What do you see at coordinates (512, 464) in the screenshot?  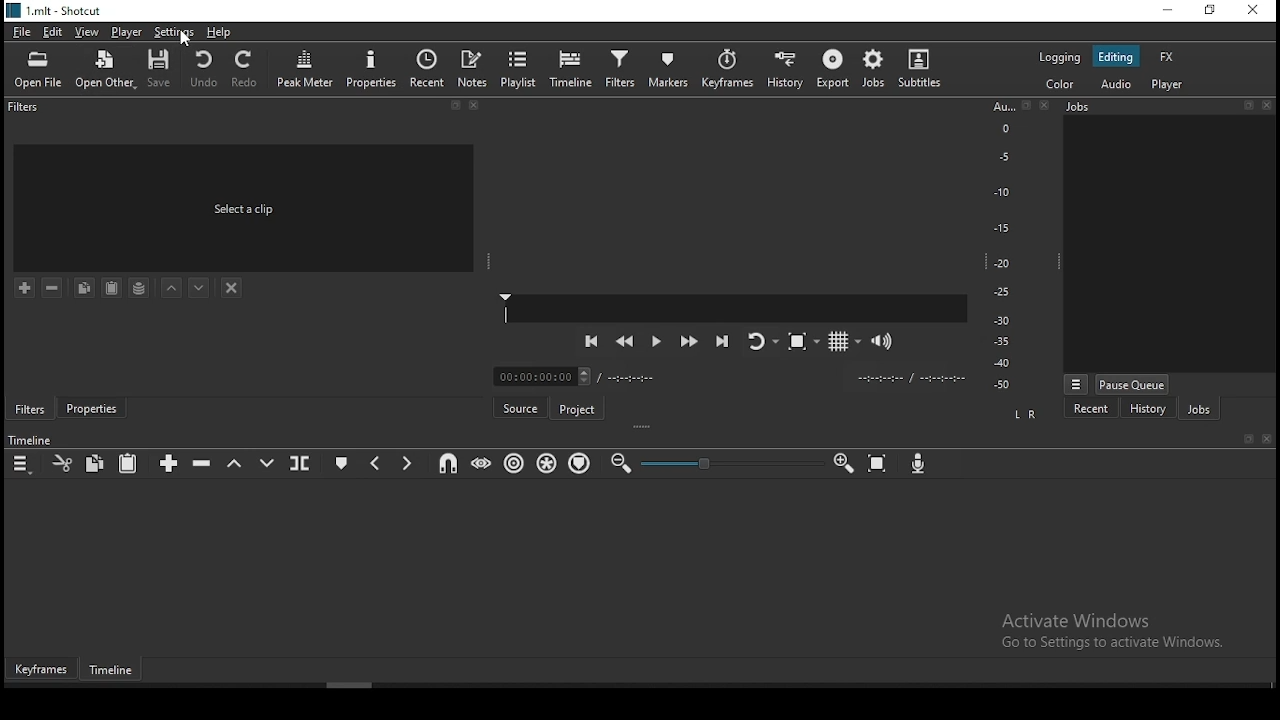 I see `ripple` at bounding box center [512, 464].